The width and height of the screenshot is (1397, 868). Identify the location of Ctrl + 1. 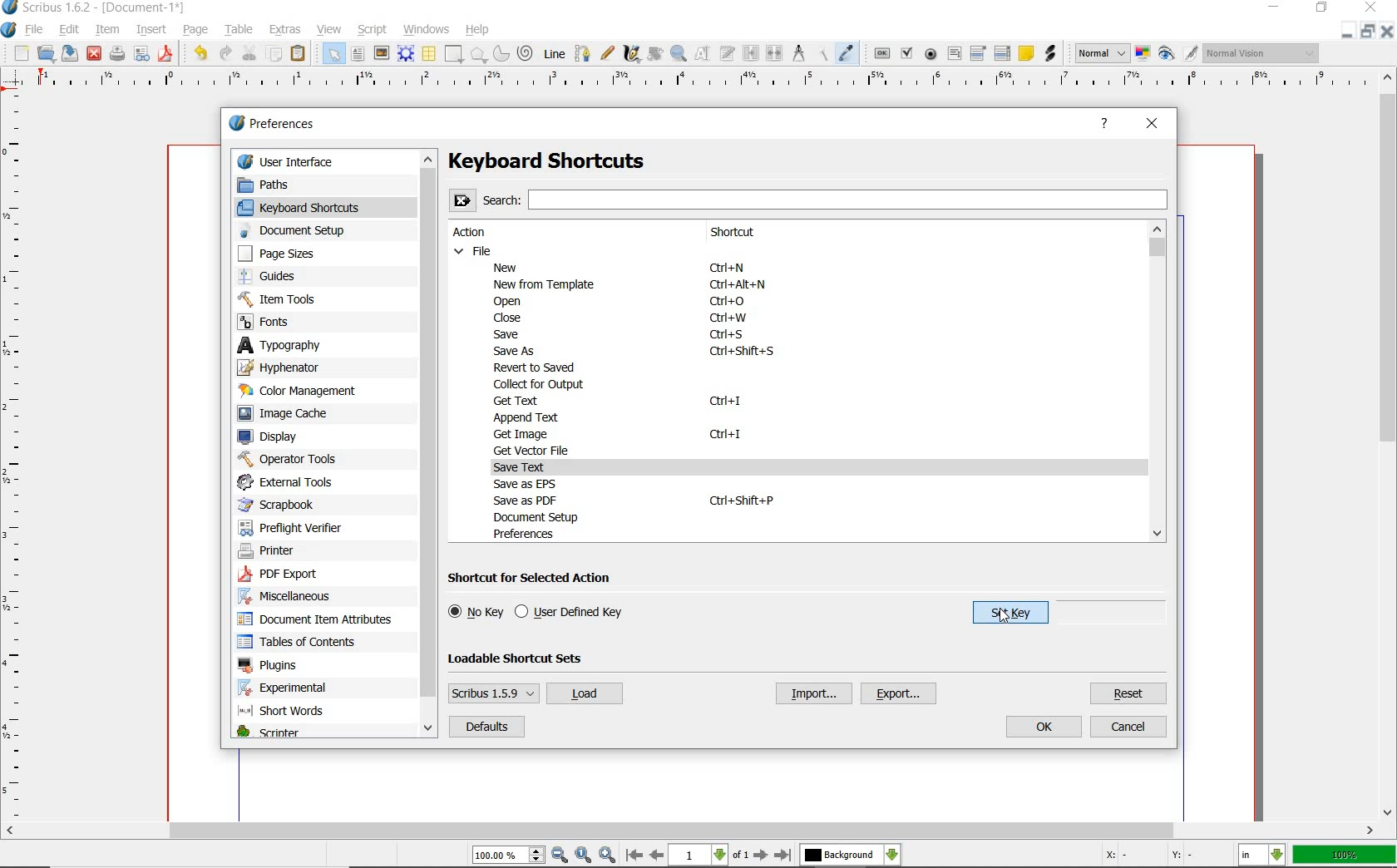
(727, 435).